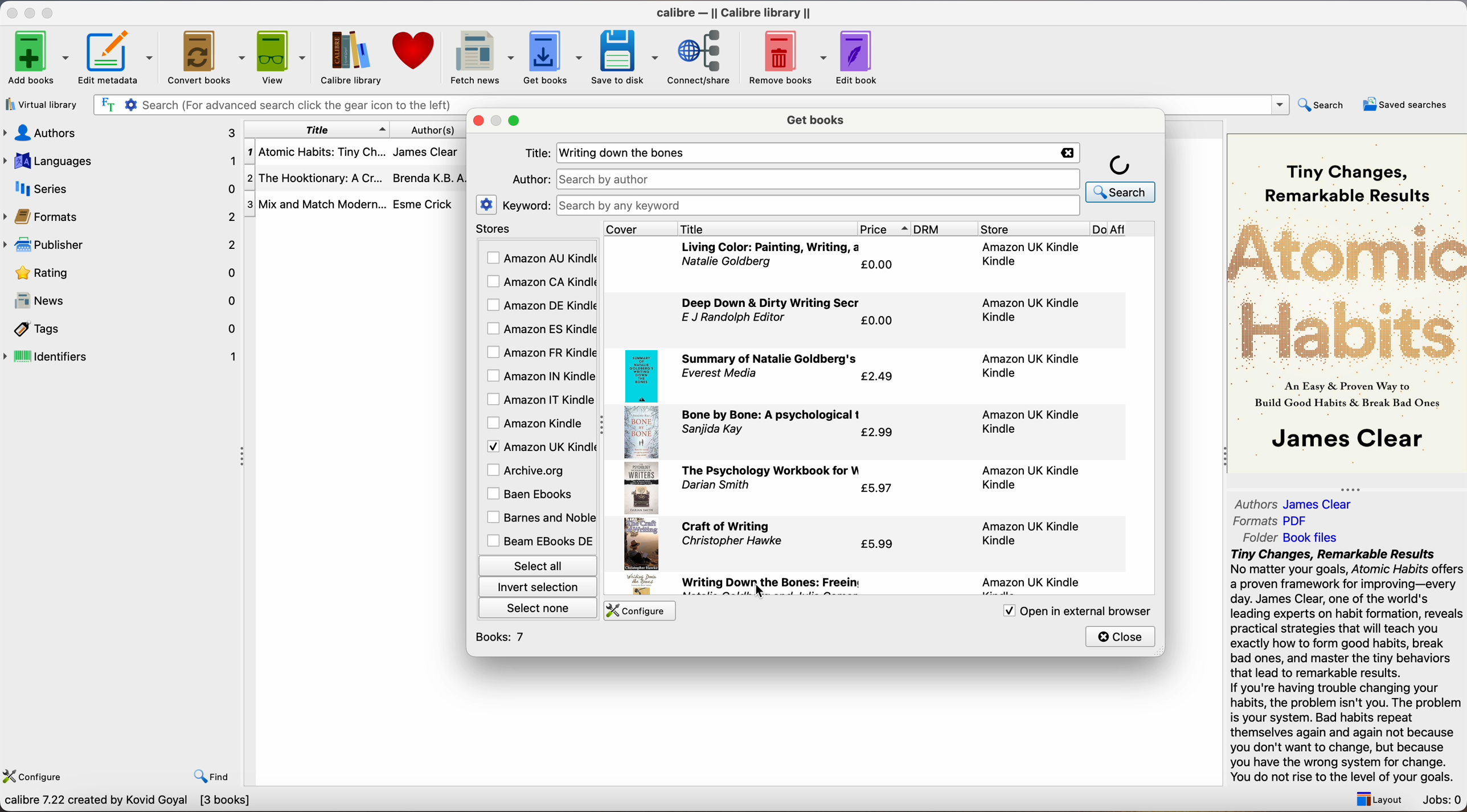 The width and height of the screenshot is (1467, 812). I want to click on cover, so click(640, 228).